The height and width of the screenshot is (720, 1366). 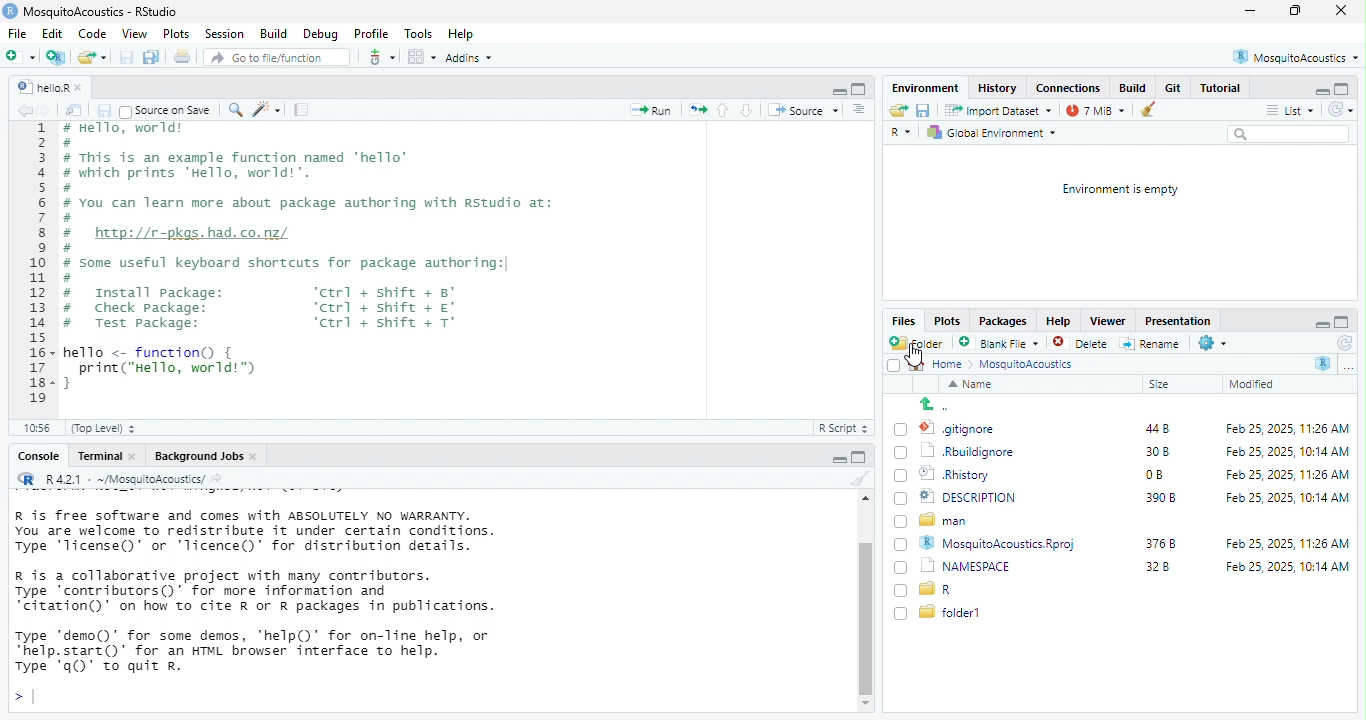 What do you see at coordinates (890, 365) in the screenshot?
I see `checkbox` at bounding box center [890, 365].